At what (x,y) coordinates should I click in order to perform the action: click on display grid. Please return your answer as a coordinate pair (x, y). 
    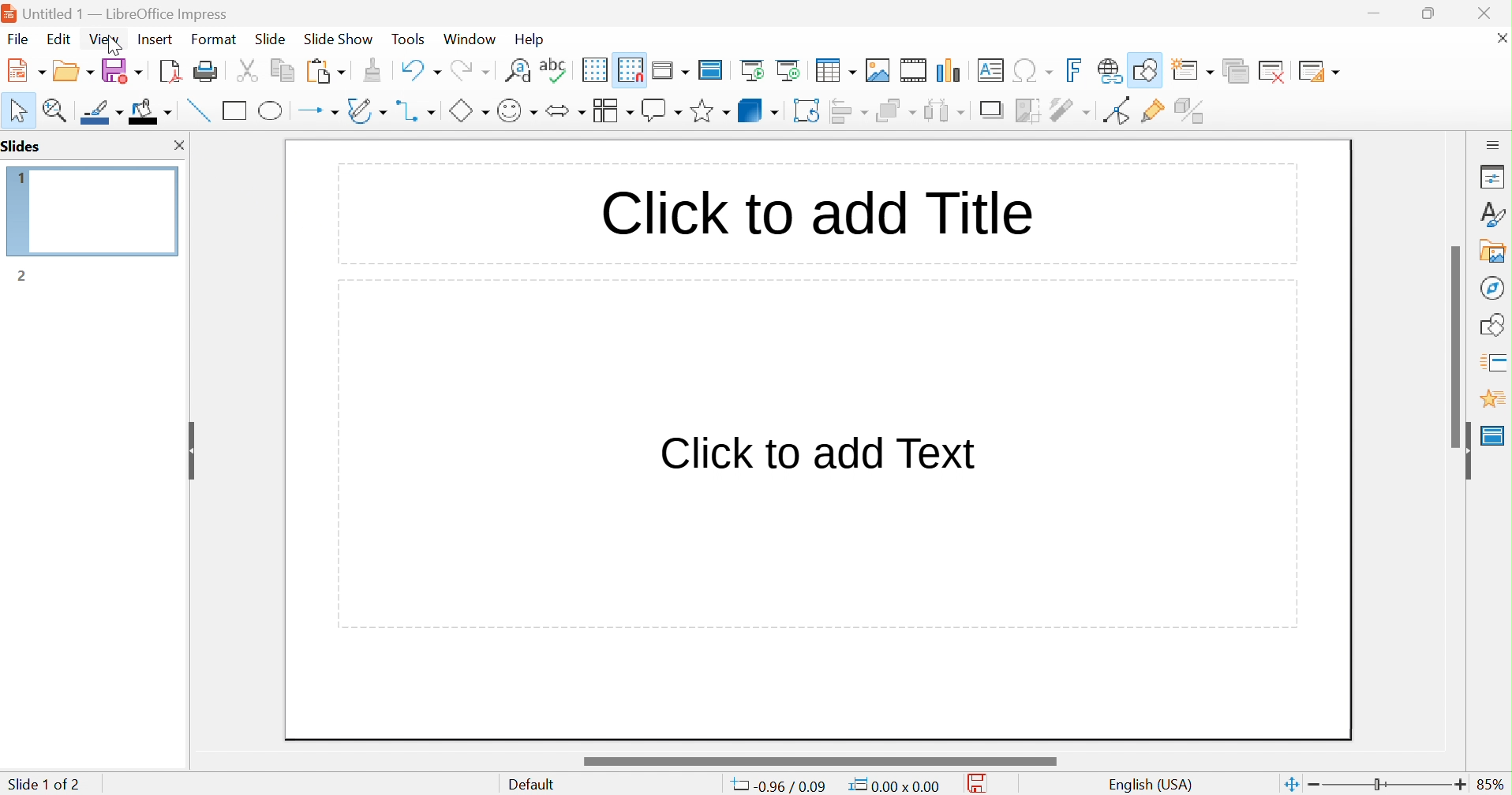
    Looking at the image, I should click on (593, 69).